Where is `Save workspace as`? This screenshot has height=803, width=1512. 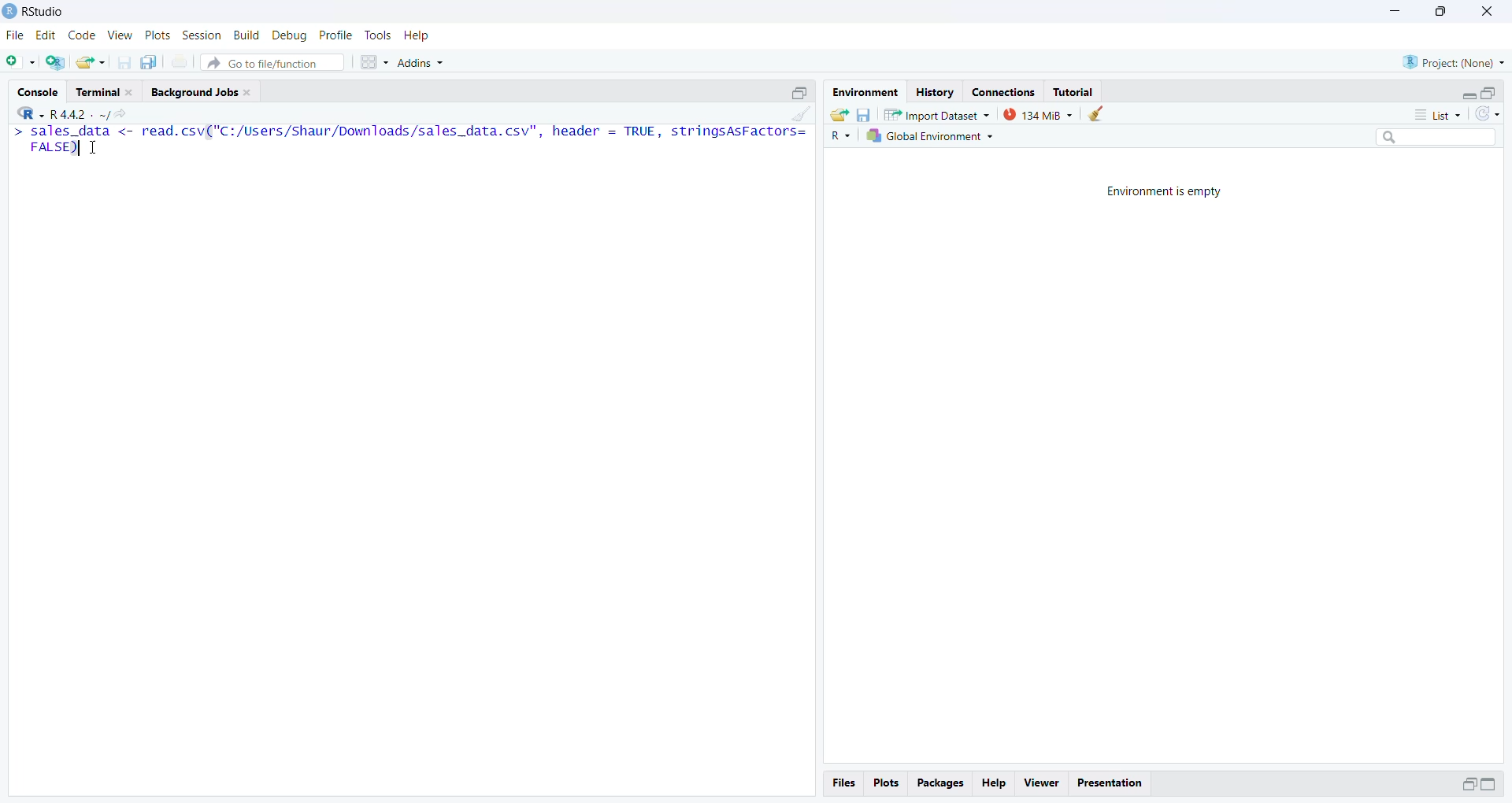
Save workspace as is located at coordinates (866, 116).